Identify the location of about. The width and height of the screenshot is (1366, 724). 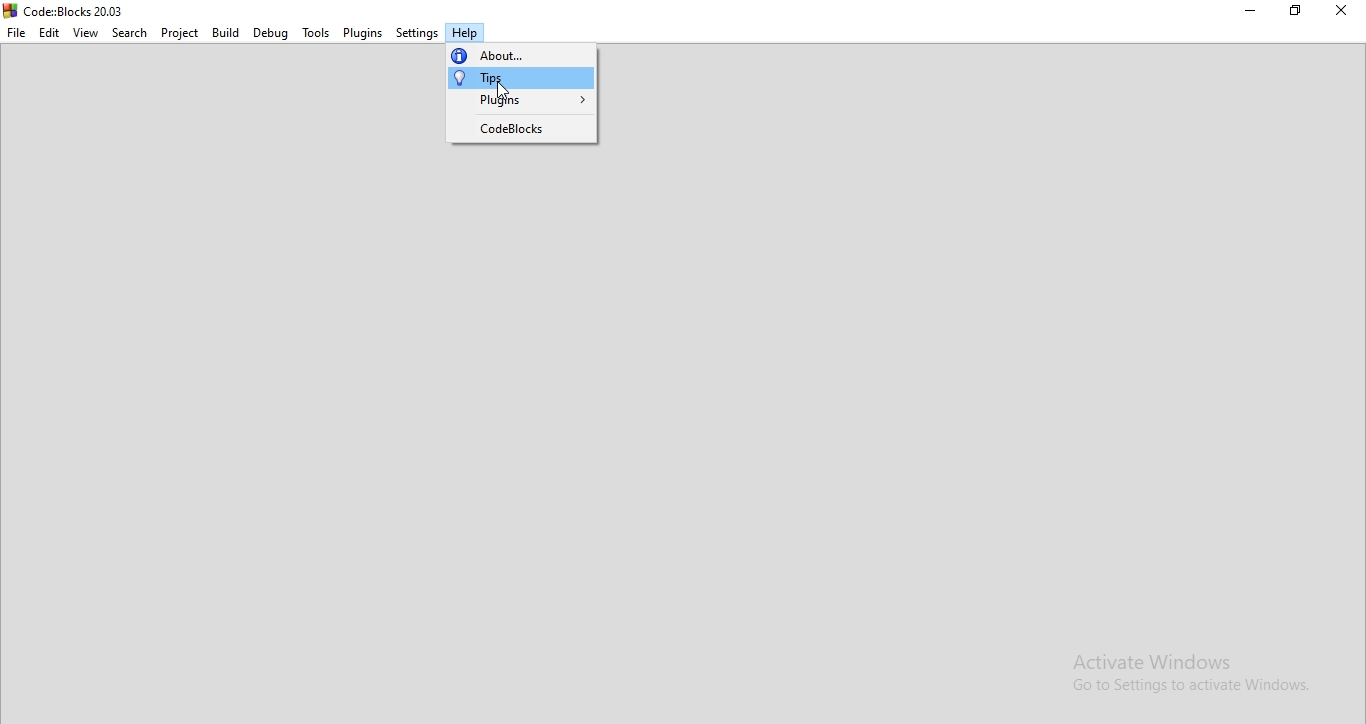
(521, 53).